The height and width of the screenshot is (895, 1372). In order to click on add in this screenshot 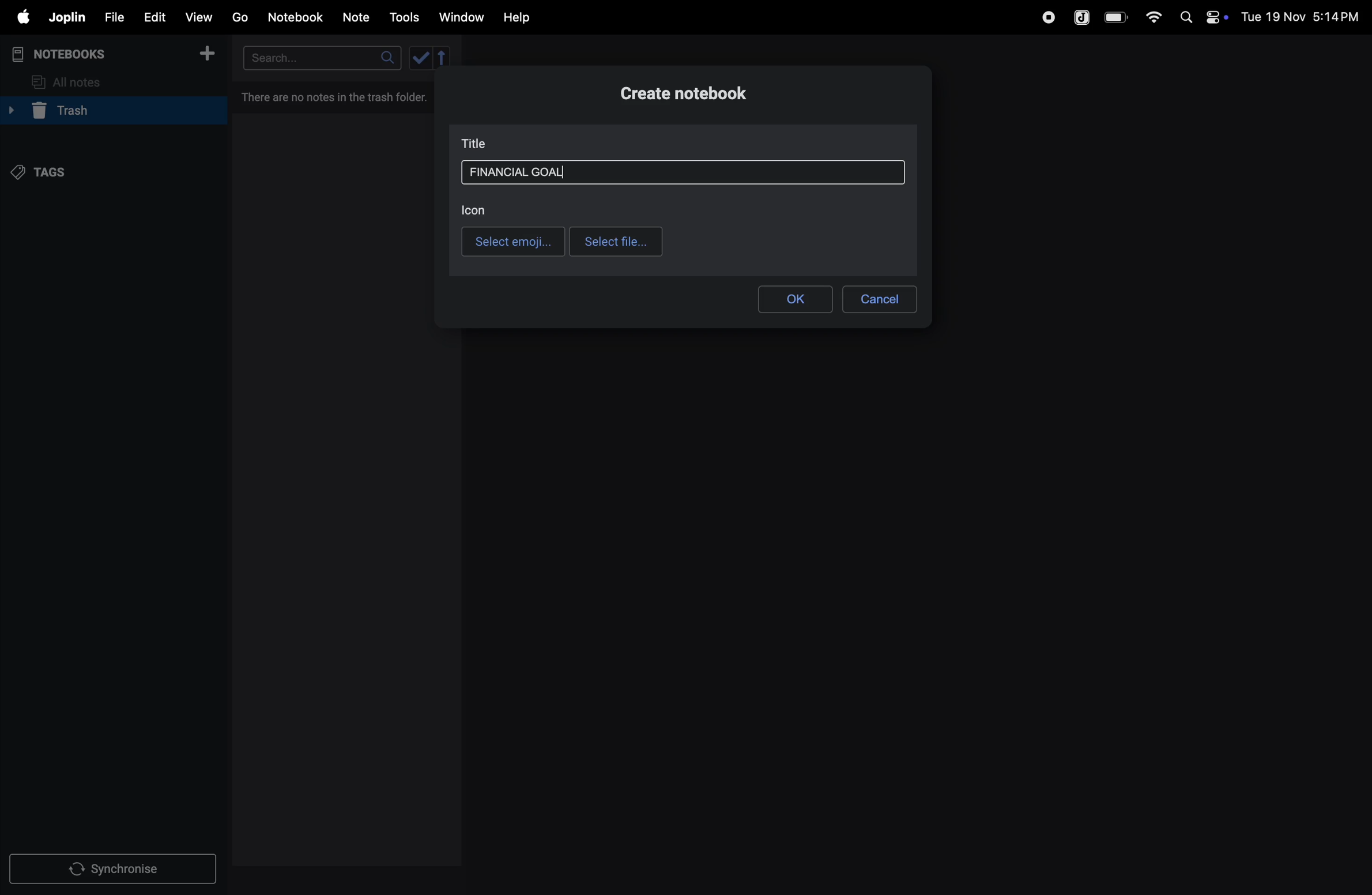, I will do `click(207, 55)`.